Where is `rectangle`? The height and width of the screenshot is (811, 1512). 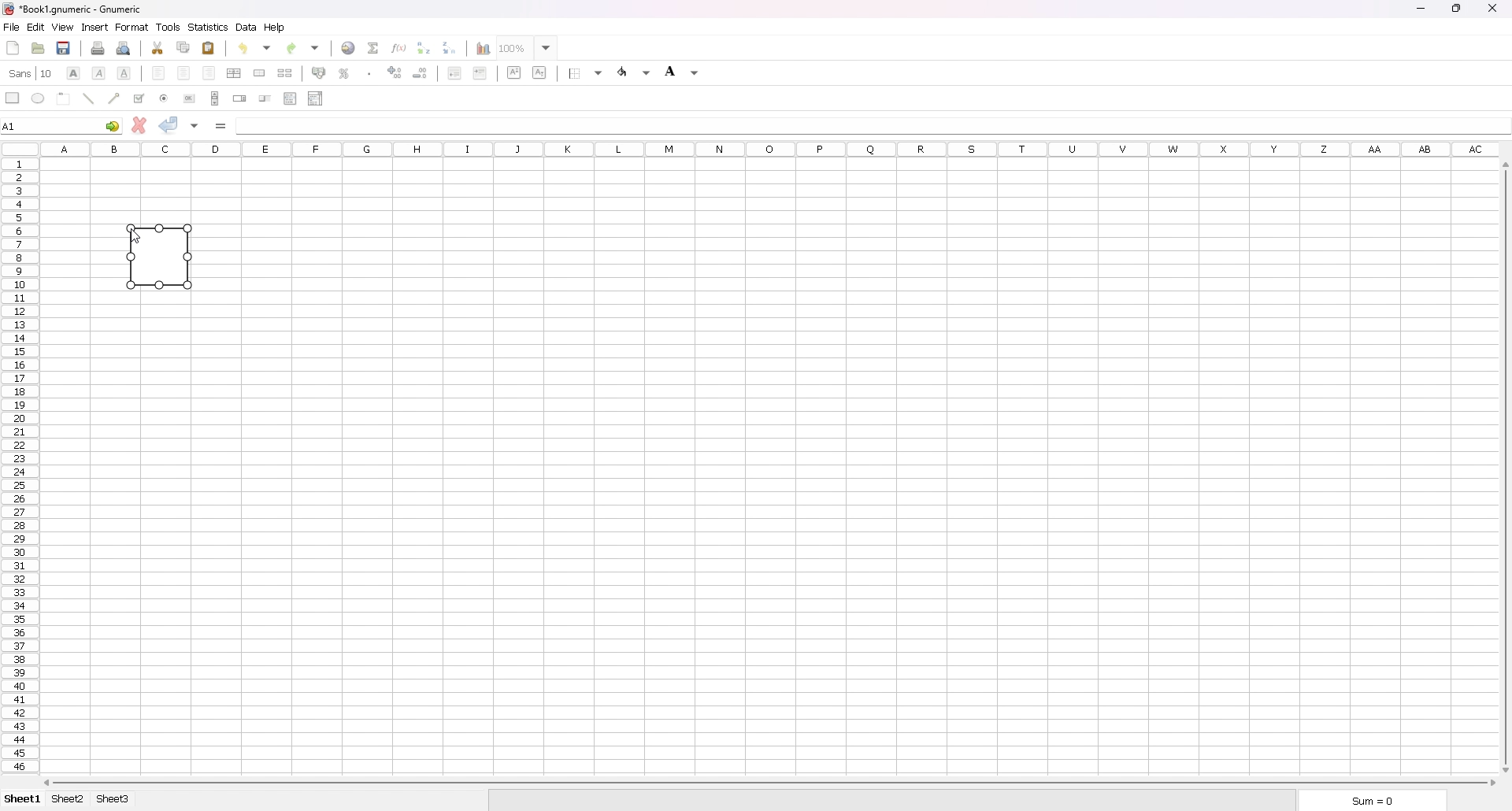
rectangle is located at coordinates (162, 257).